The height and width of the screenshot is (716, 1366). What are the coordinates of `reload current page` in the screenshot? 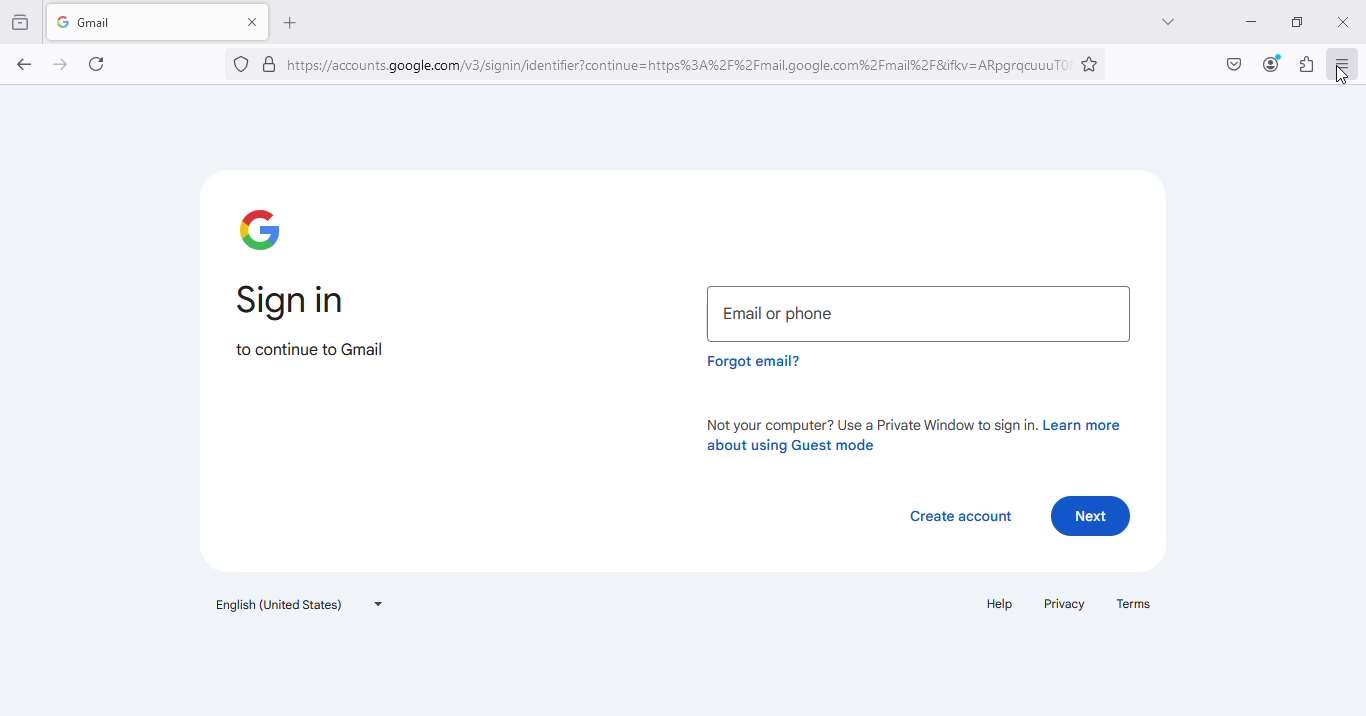 It's located at (96, 64).